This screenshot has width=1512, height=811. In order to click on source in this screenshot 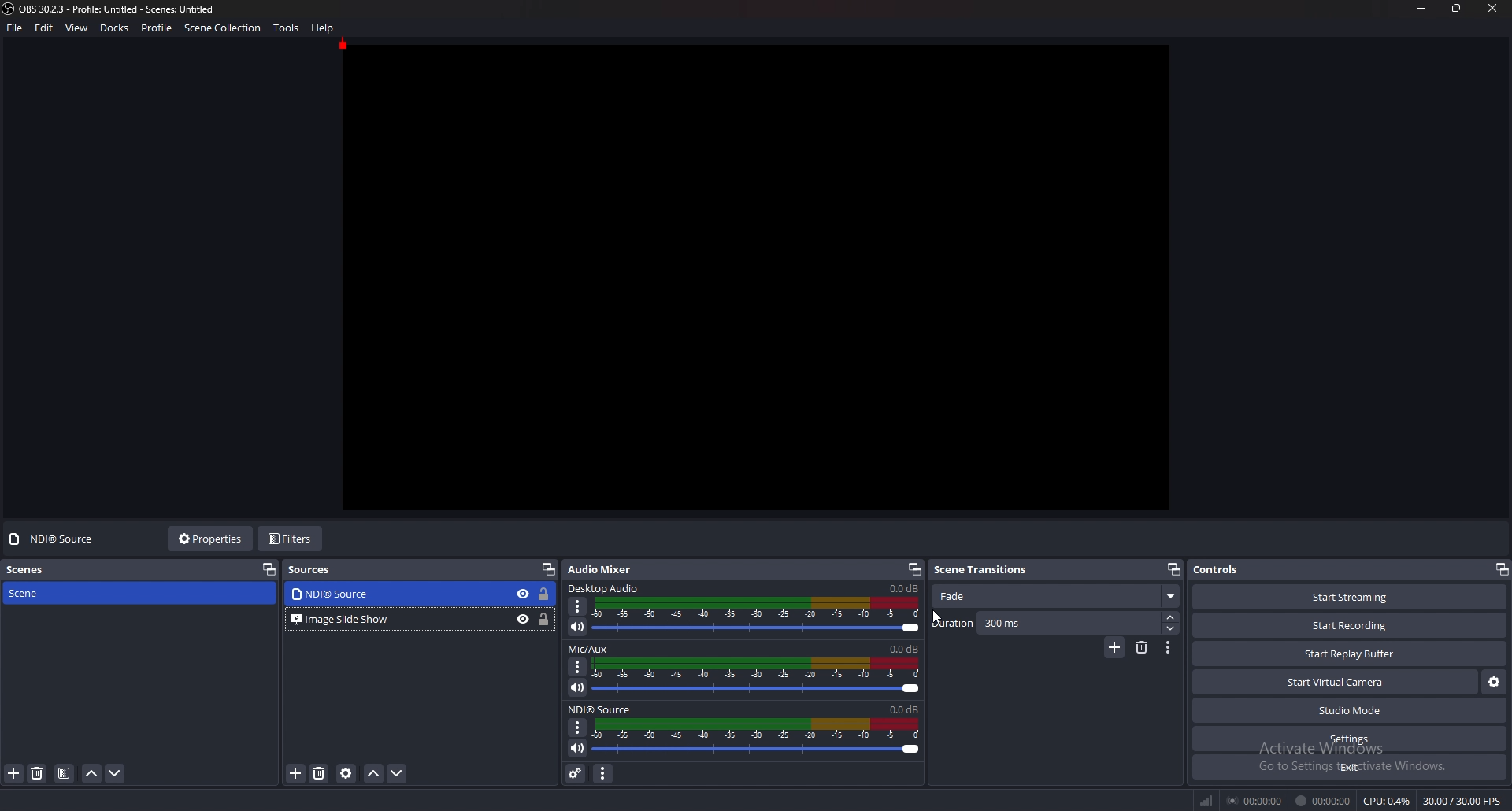, I will do `click(347, 595)`.